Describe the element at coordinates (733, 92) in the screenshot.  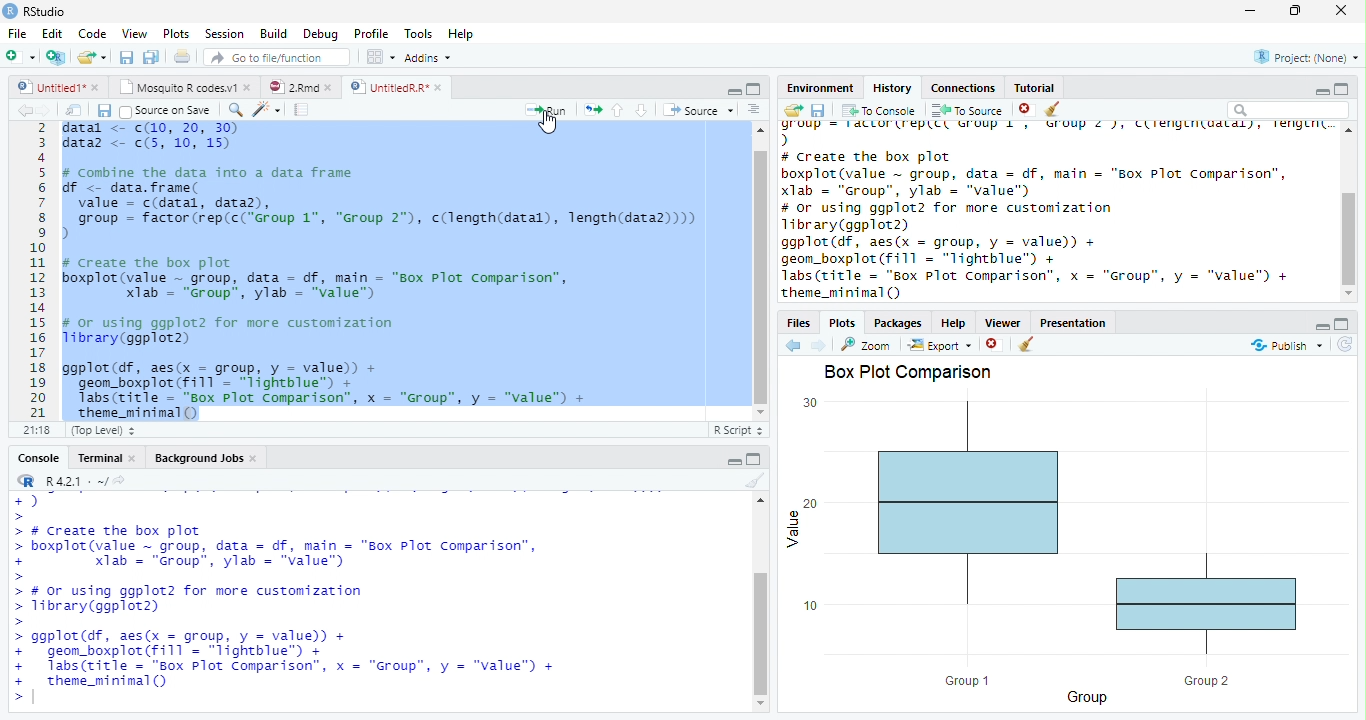
I see `Minimize` at that location.